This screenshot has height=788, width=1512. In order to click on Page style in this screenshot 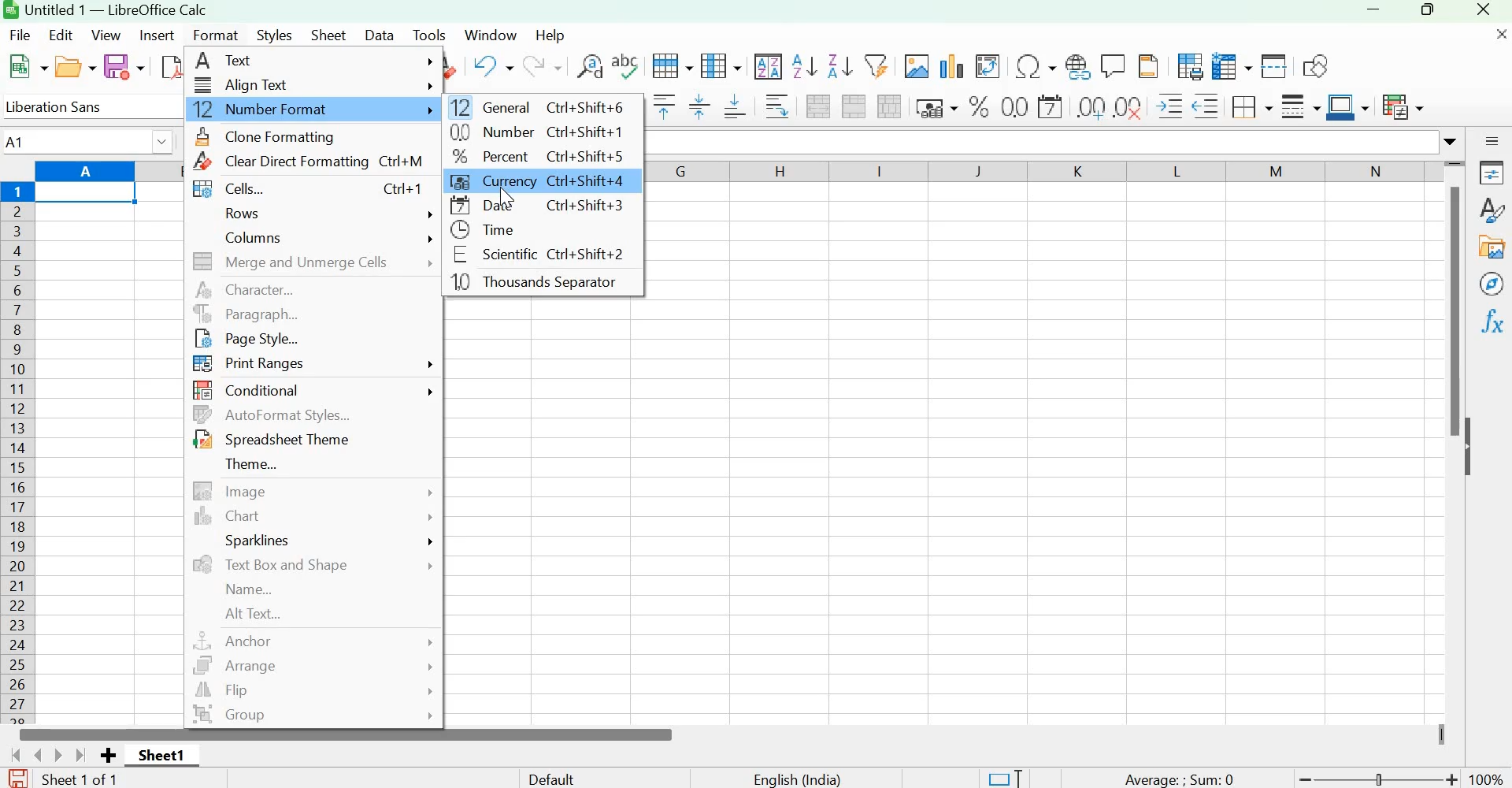, I will do `click(254, 340)`.